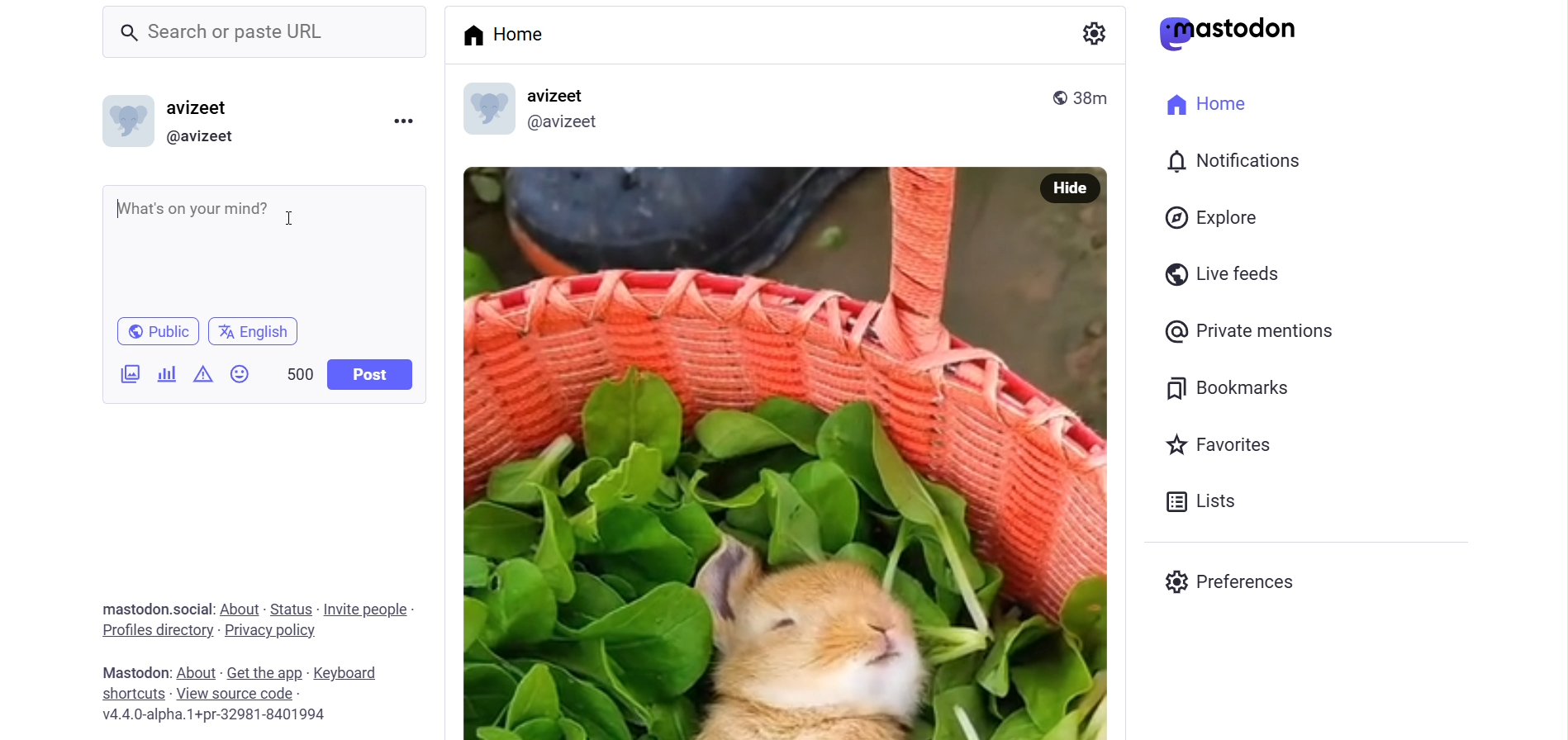 The height and width of the screenshot is (740, 1568). I want to click on Add Image, so click(130, 372).